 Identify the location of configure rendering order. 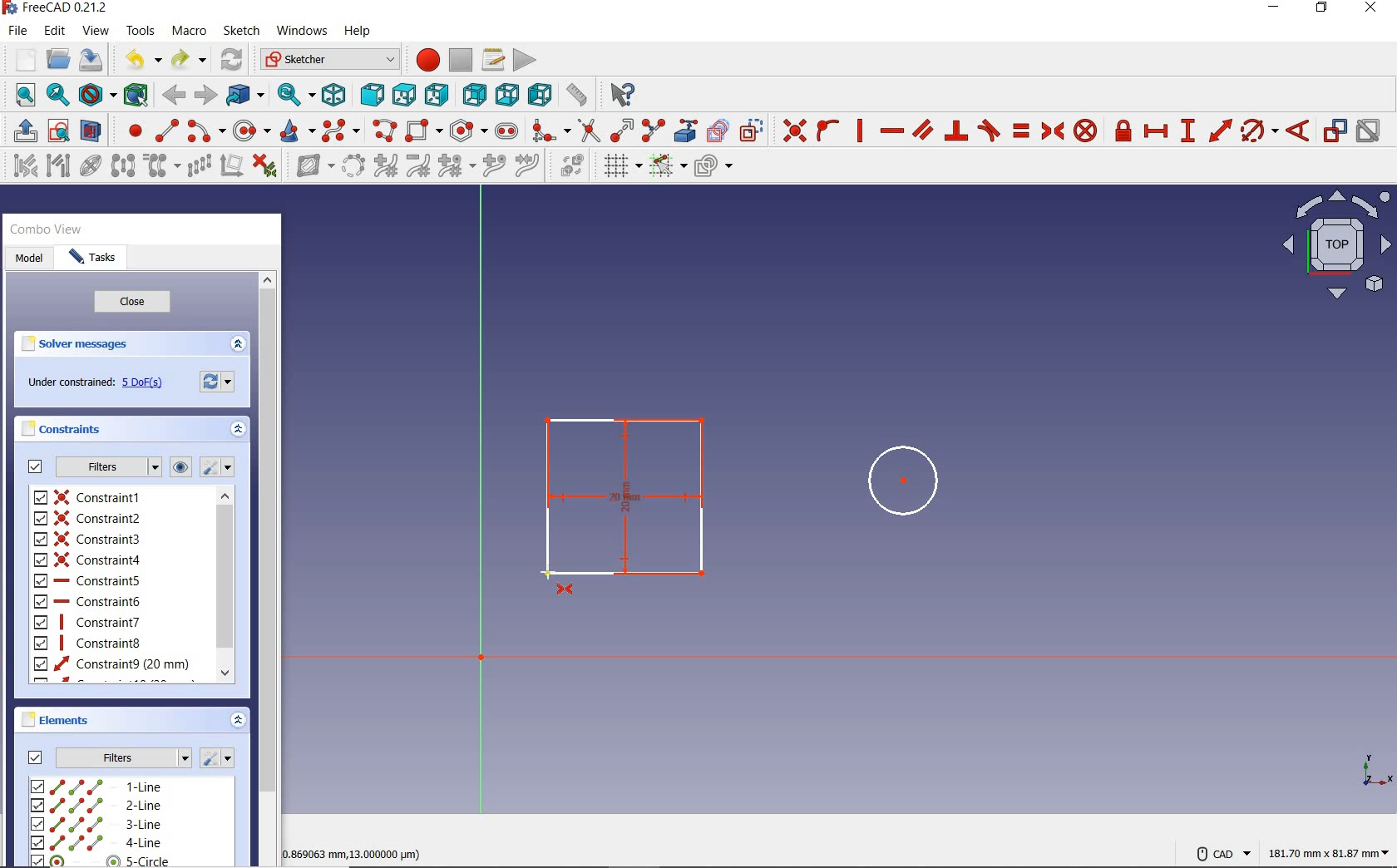
(713, 169).